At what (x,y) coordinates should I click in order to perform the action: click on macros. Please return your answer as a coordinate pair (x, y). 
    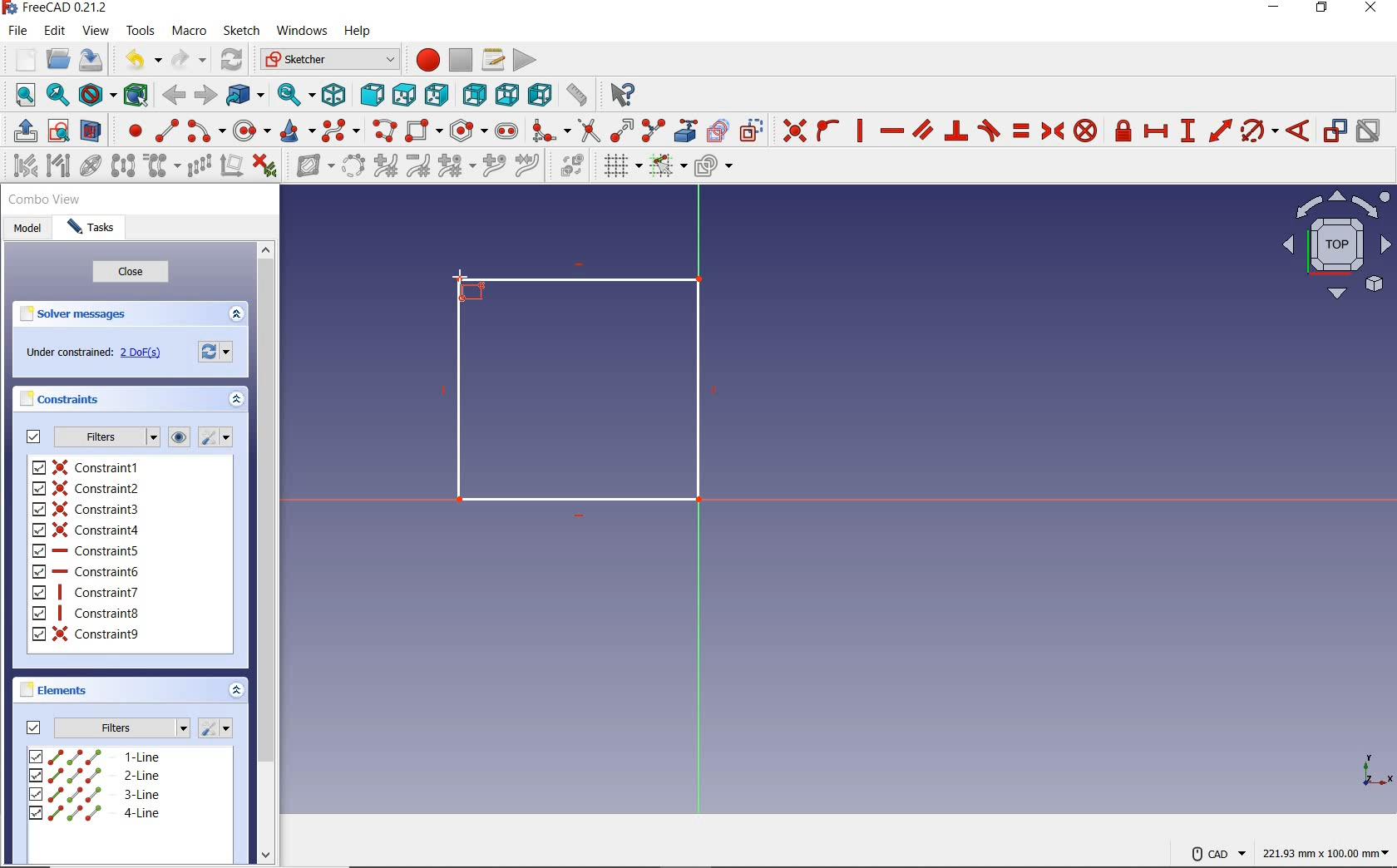
    Looking at the image, I should click on (492, 60).